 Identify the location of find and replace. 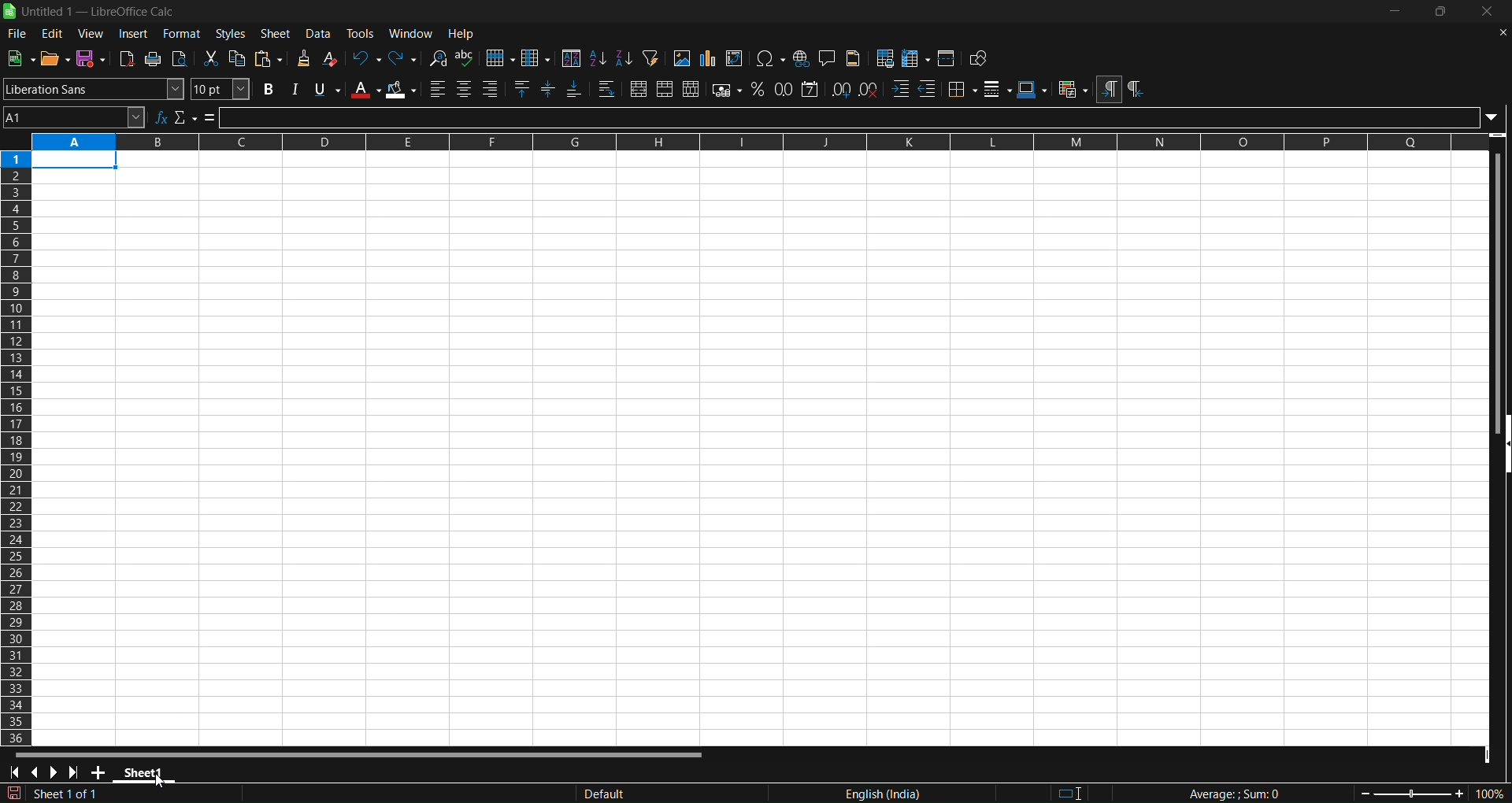
(437, 57).